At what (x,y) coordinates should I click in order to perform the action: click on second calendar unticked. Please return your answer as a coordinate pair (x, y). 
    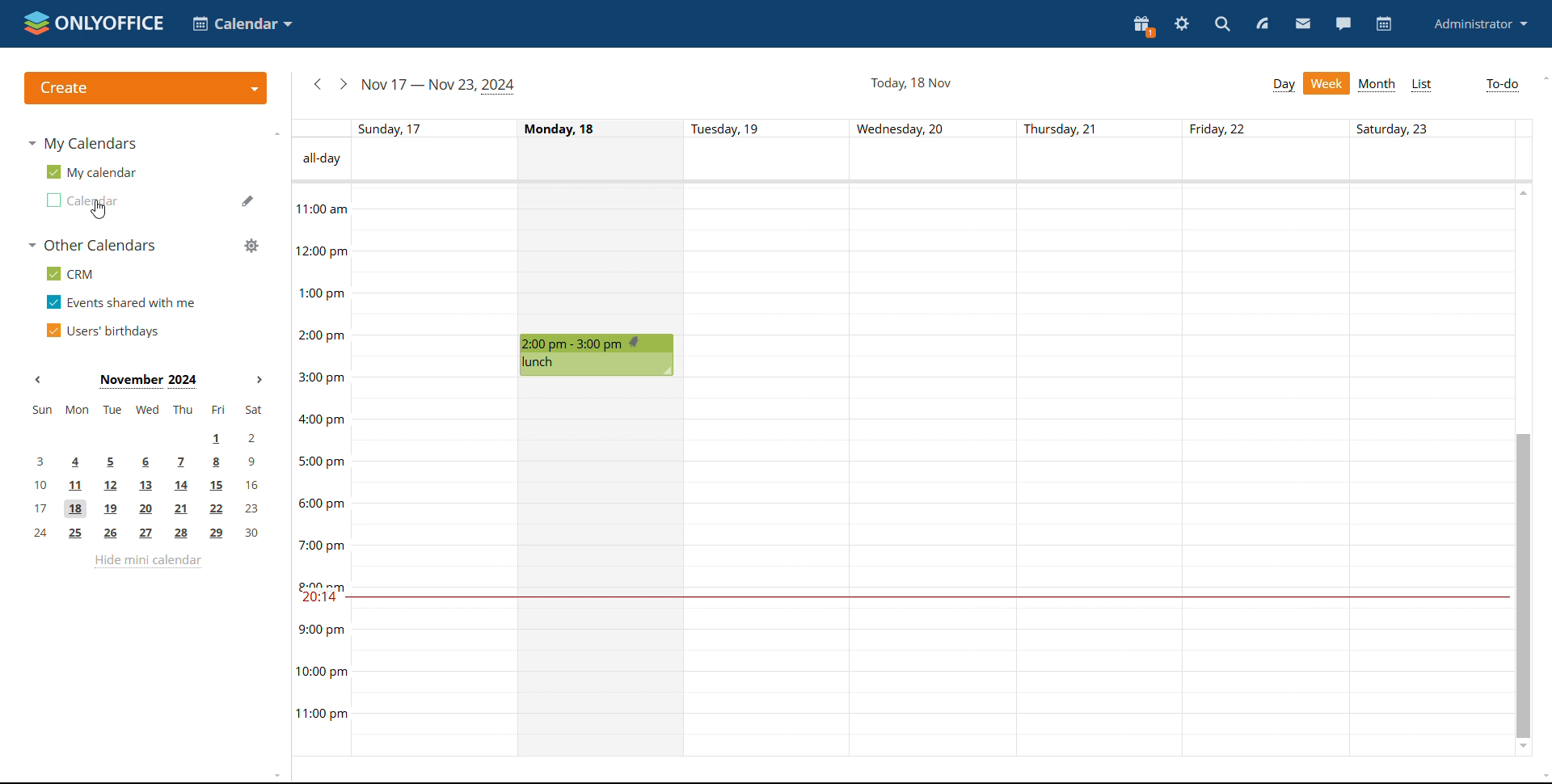
    Looking at the image, I should click on (82, 201).